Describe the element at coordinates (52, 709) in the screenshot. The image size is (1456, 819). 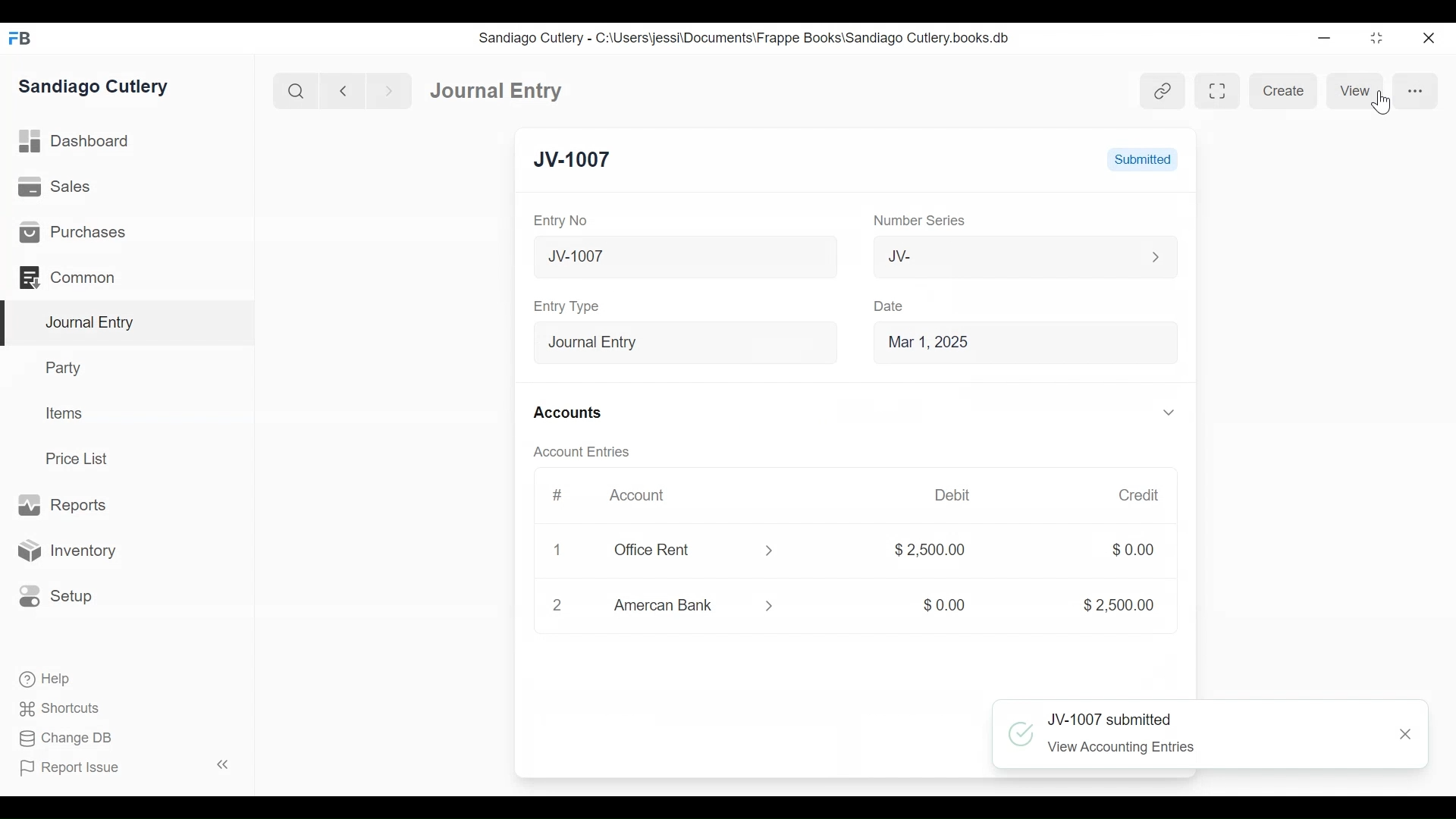
I see `Shortcuts` at that location.